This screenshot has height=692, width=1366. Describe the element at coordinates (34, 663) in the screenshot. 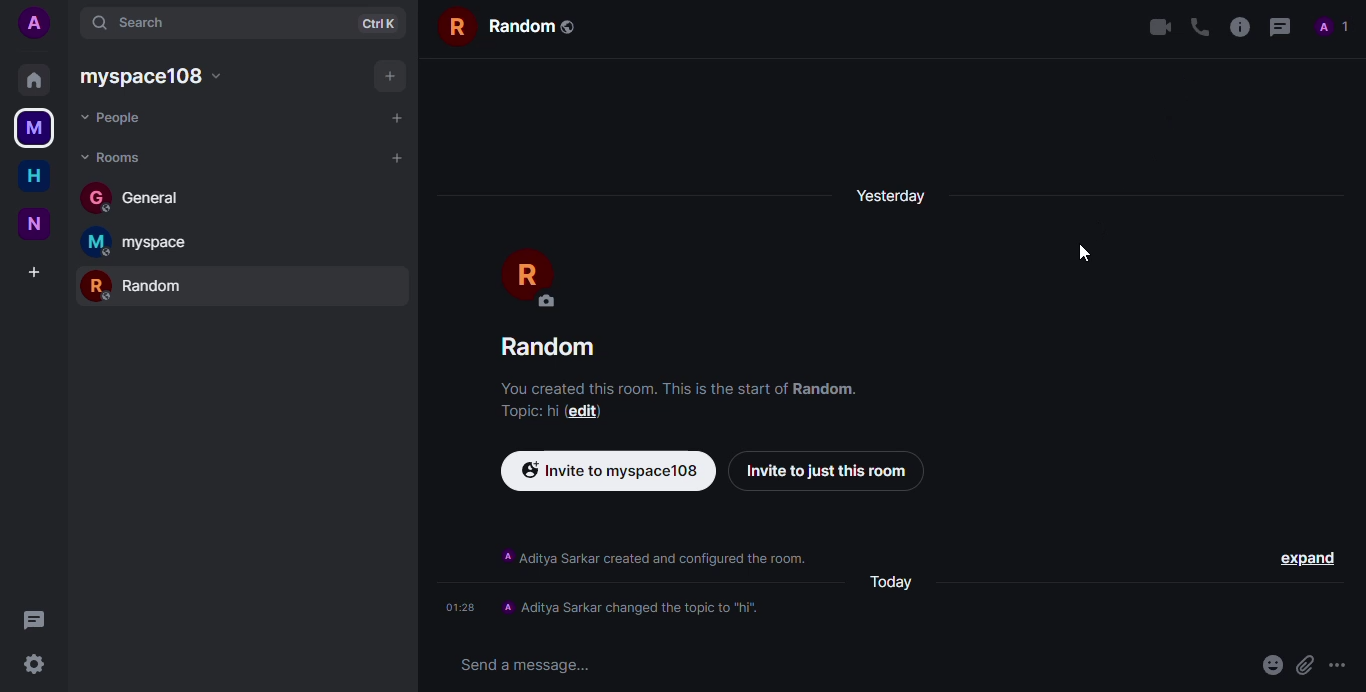

I see `settings` at that location.